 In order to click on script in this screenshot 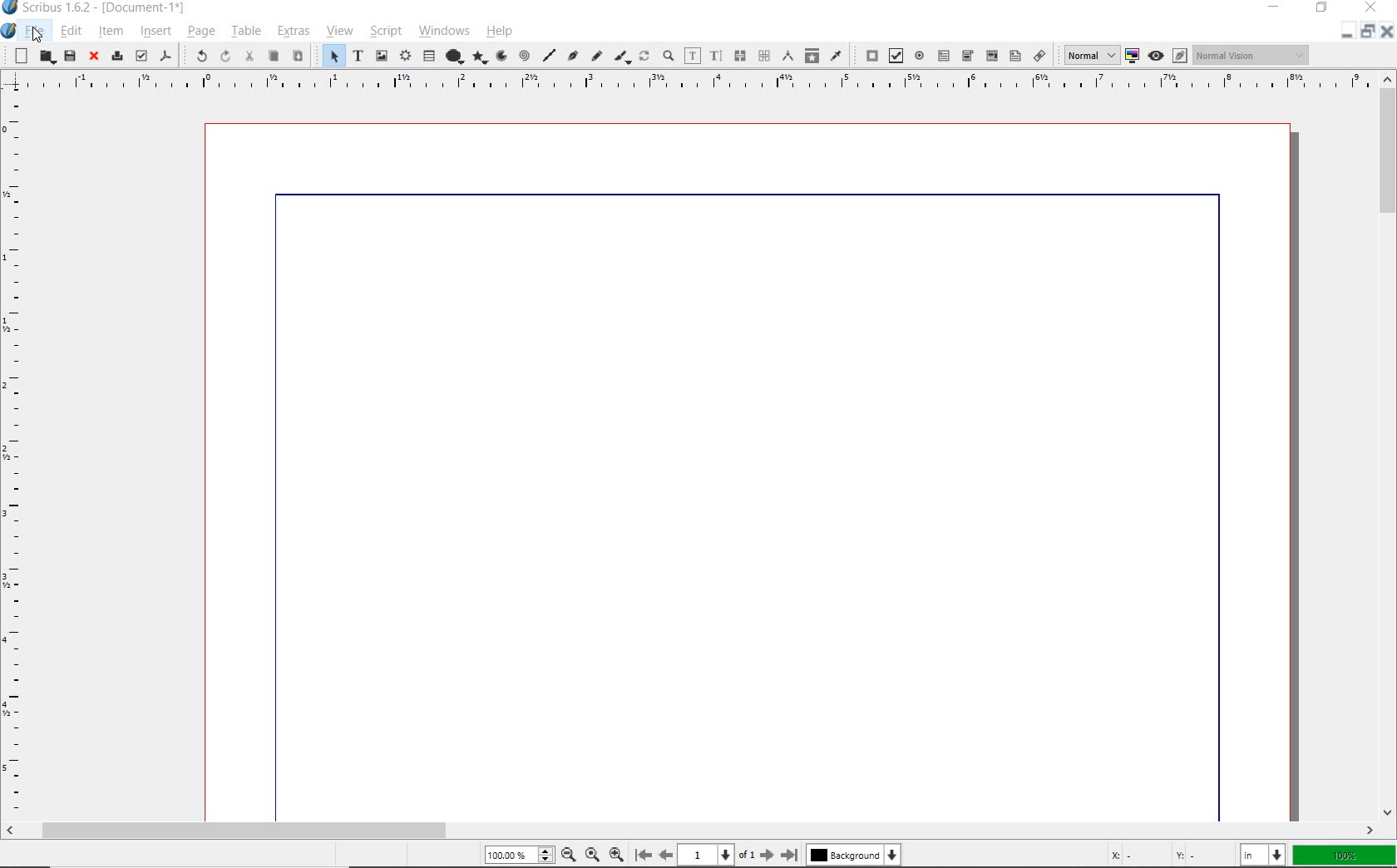, I will do `click(385, 32)`.